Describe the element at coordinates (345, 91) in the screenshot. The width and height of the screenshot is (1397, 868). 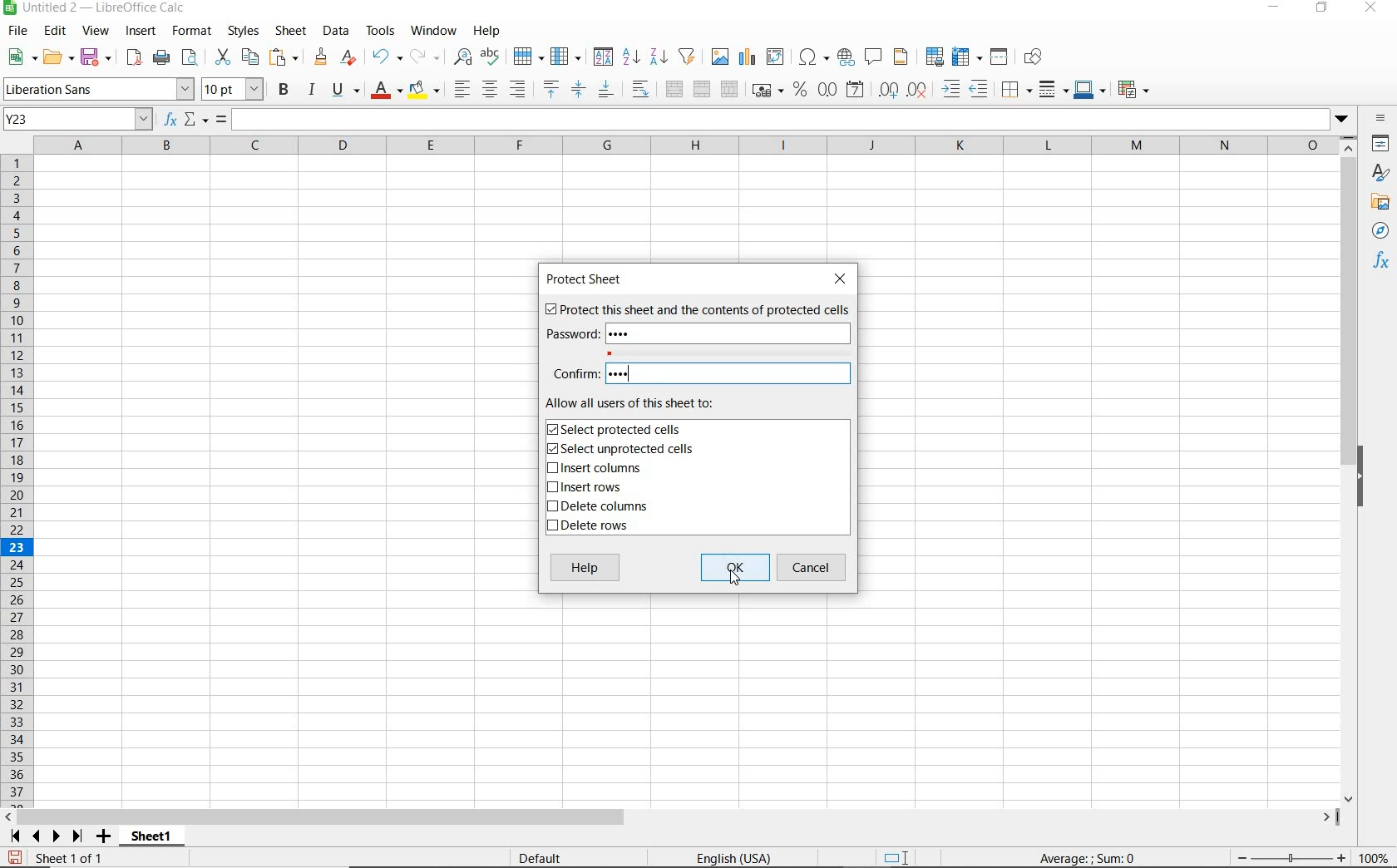
I see `UNDERLINE` at that location.